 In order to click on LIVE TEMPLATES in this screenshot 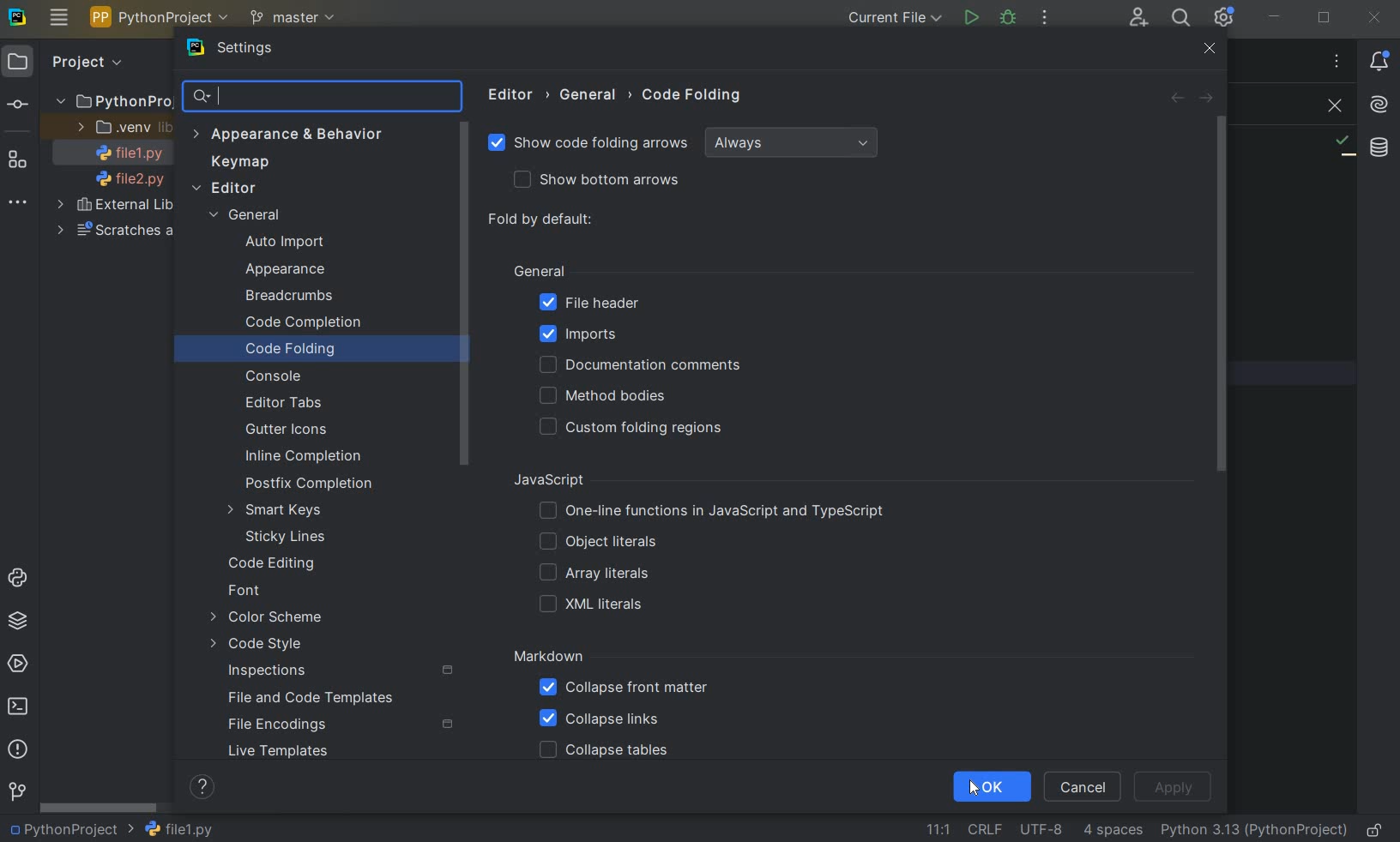, I will do `click(305, 751)`.